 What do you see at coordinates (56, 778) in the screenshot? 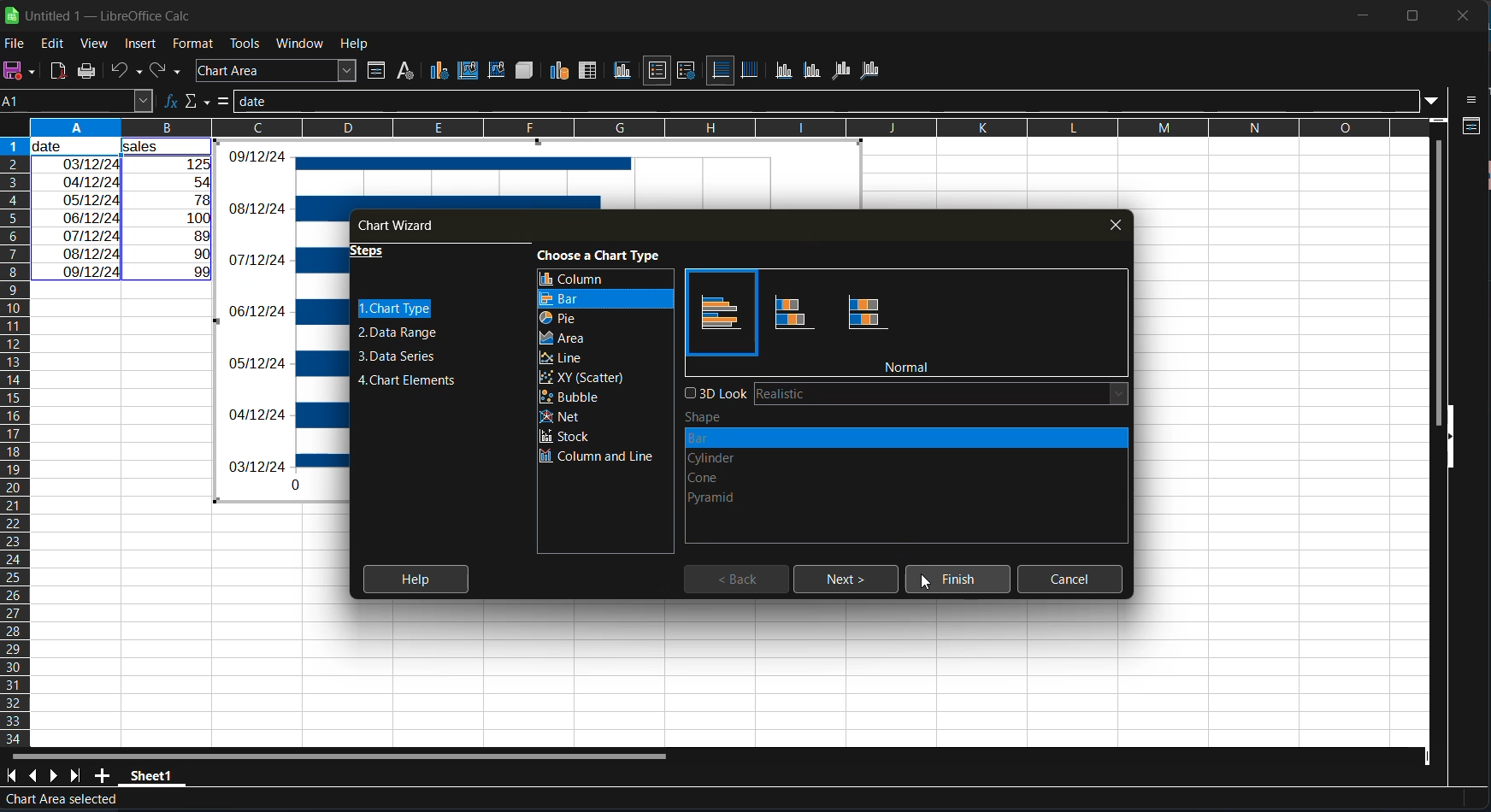
I see `scroll to next sheet` at bounding box center [56, 778].